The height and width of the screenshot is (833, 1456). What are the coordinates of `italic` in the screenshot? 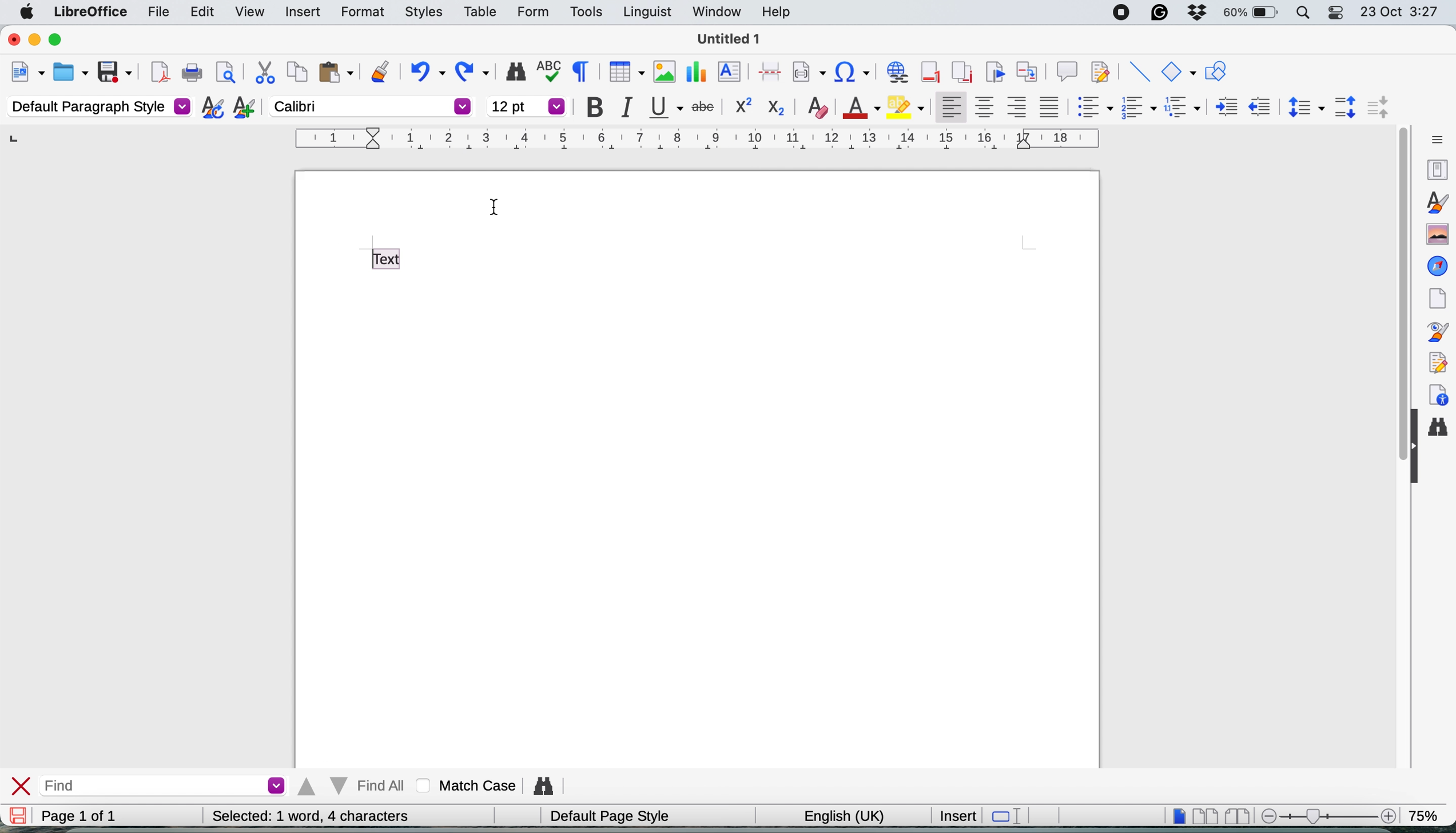 It's located at (626, 107).